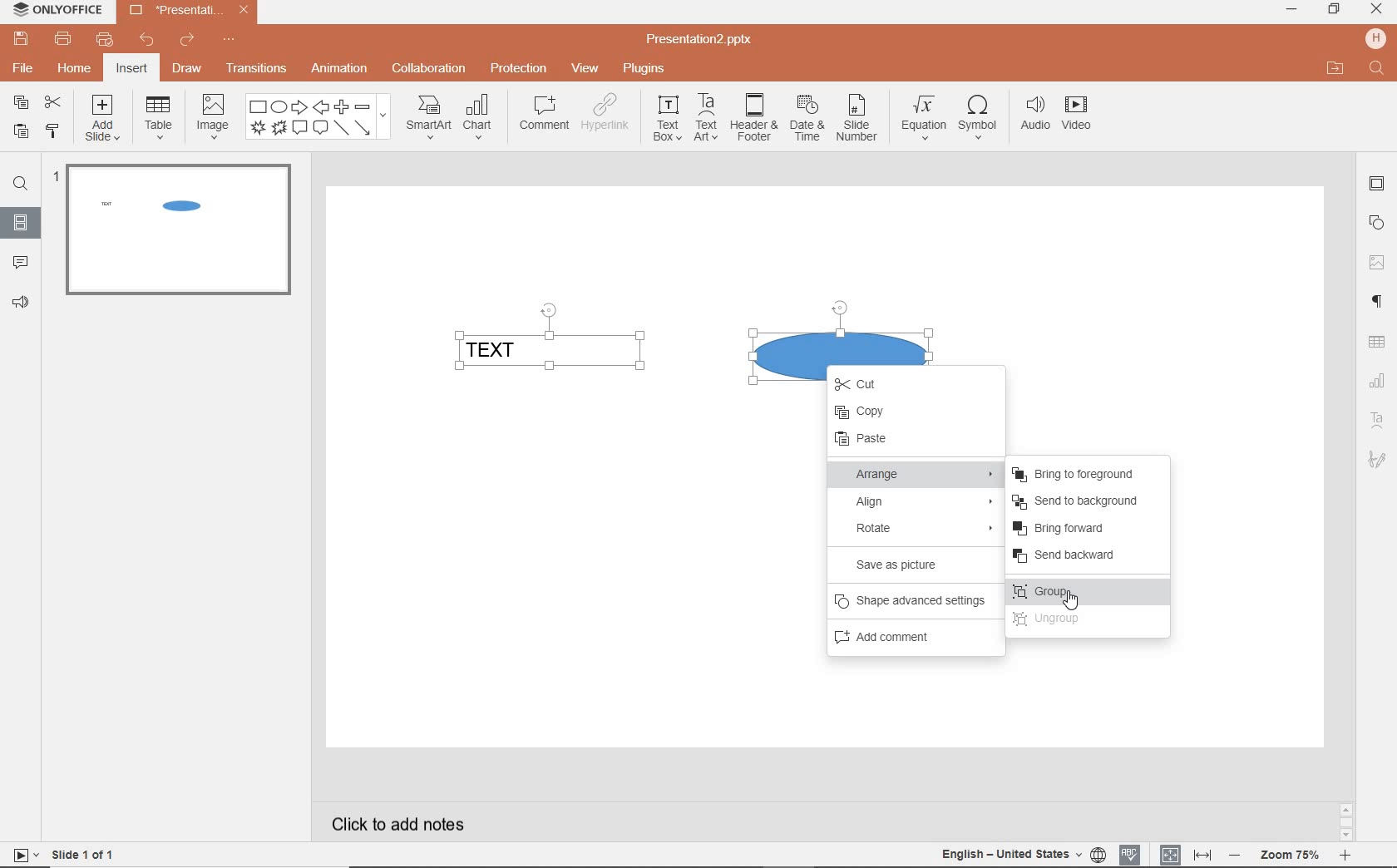 The height and width of the screenshot is (868, 1397). What do you see at coordinates (1132, 854) in the screenshot?
I see `SPELL CHECKING` at bounding box center [1132, 854].